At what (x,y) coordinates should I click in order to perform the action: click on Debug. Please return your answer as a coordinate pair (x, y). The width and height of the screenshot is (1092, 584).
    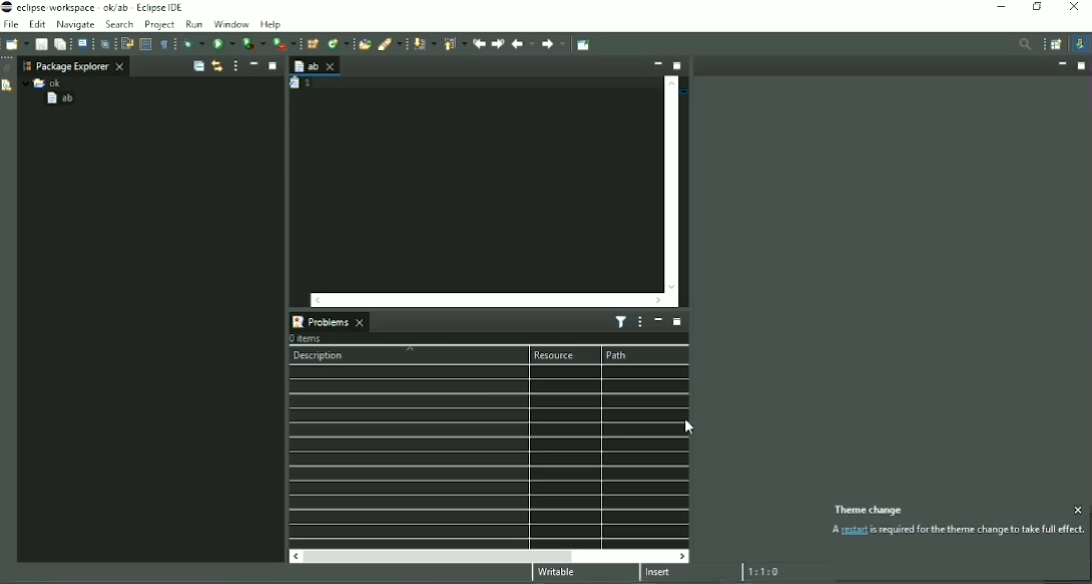
    Looking at the image, I should click on (192, 43).